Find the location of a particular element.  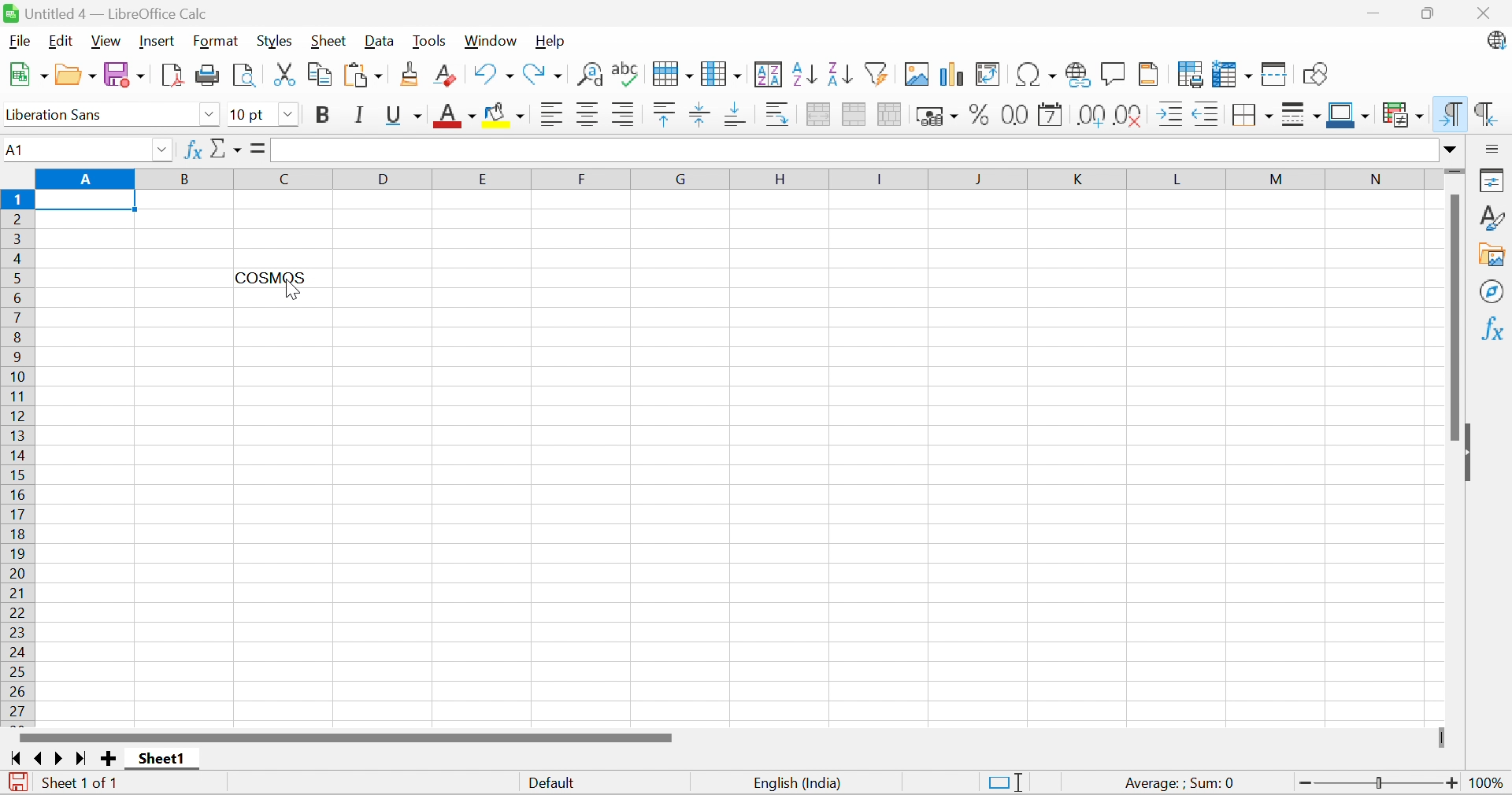

Export as PDF is located at coordinates (174, 75).